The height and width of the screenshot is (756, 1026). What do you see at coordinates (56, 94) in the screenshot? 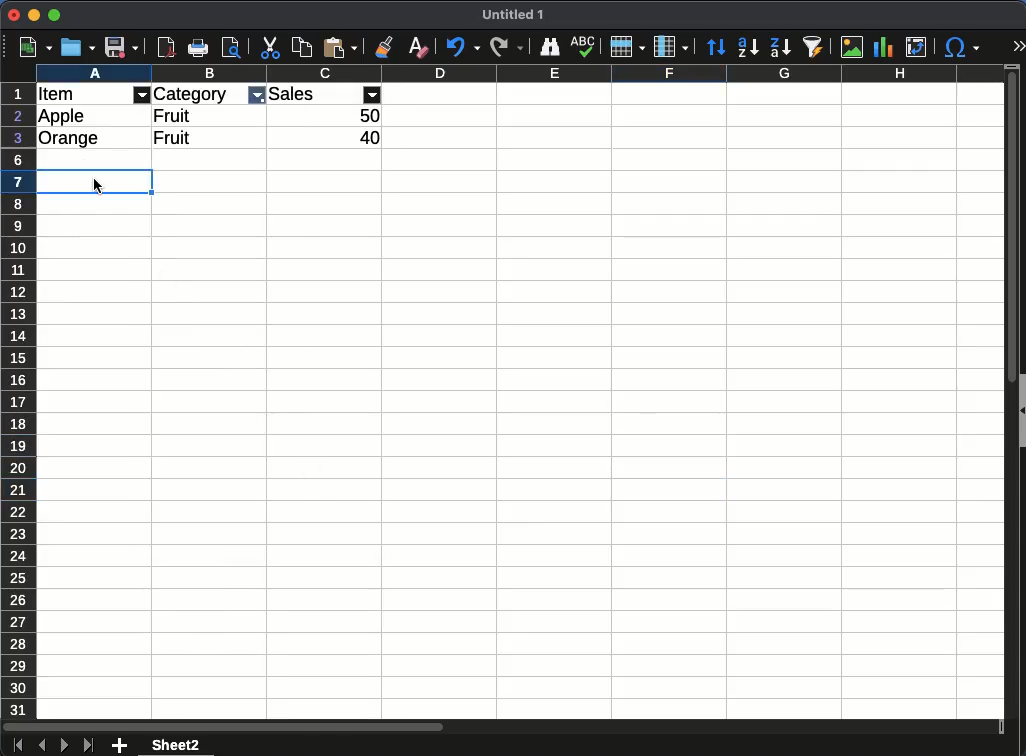
I see `Item` at bounding box center [56, 94].